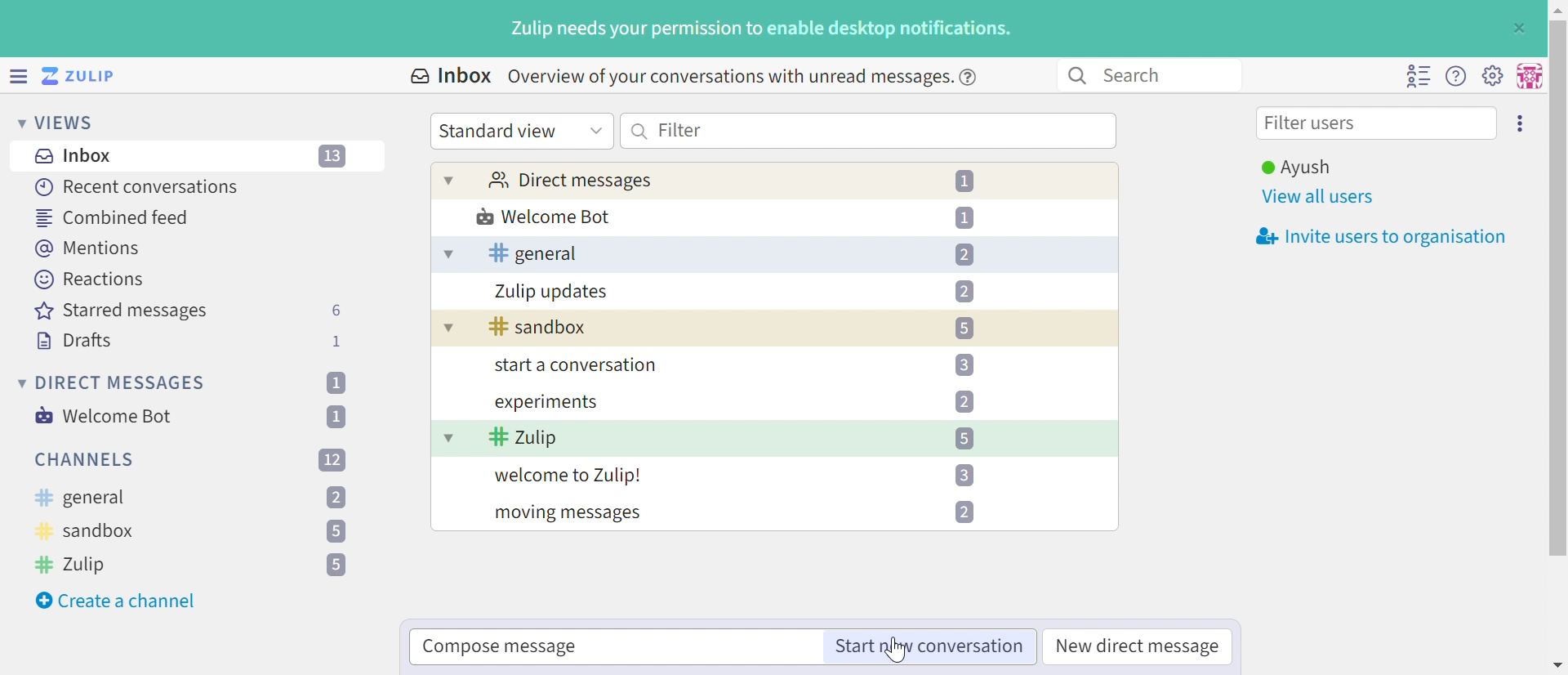 The width and height of the screenshot is (1568, 675). What do you see at coordinates (335, 382) in the screenshot?
I see `1` at bounding box center [335, 382].